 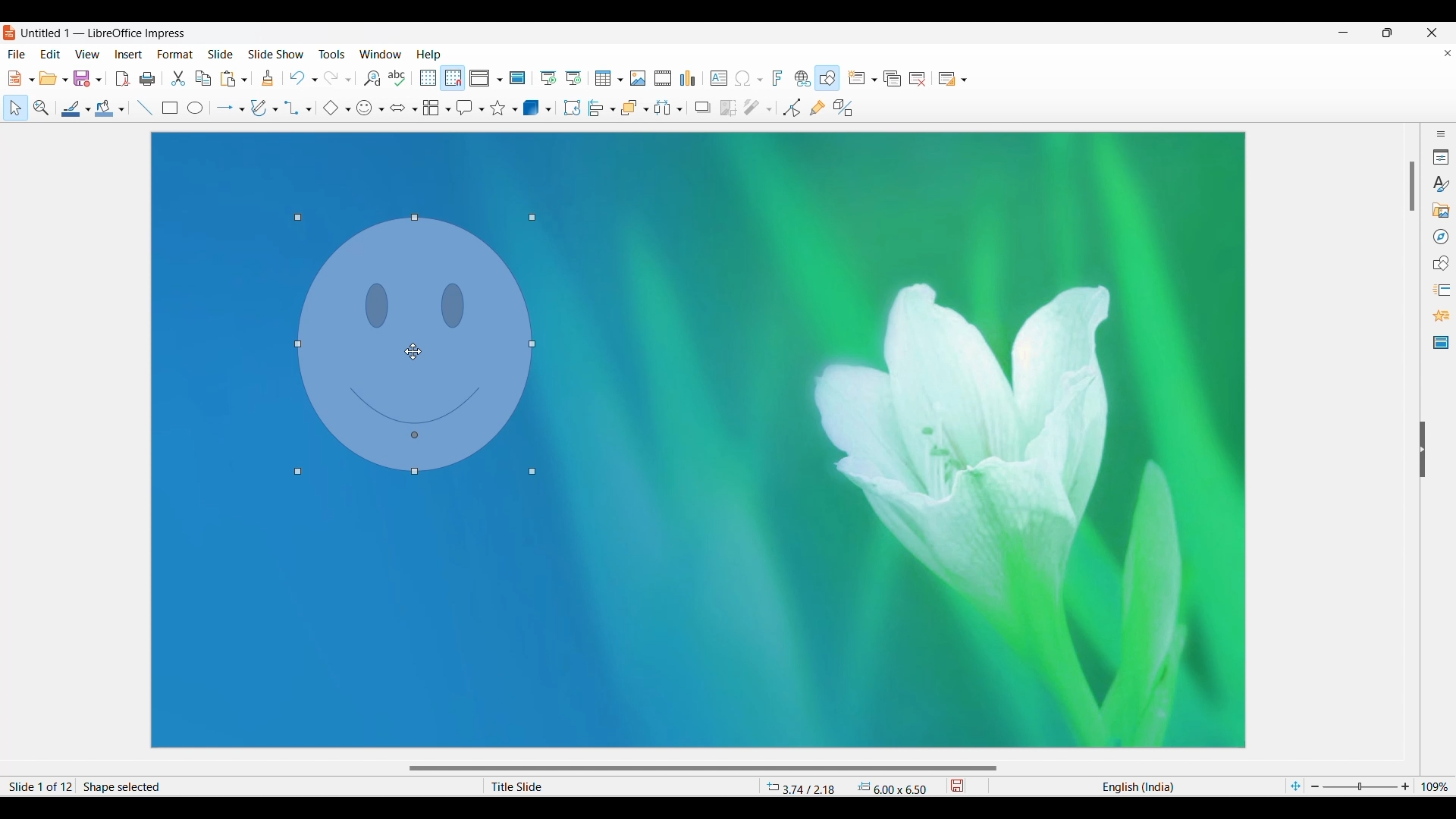 What do you see at coordinates (129, 55) in the screenshot?
I see `Insert` at bounding box center [129, 55].